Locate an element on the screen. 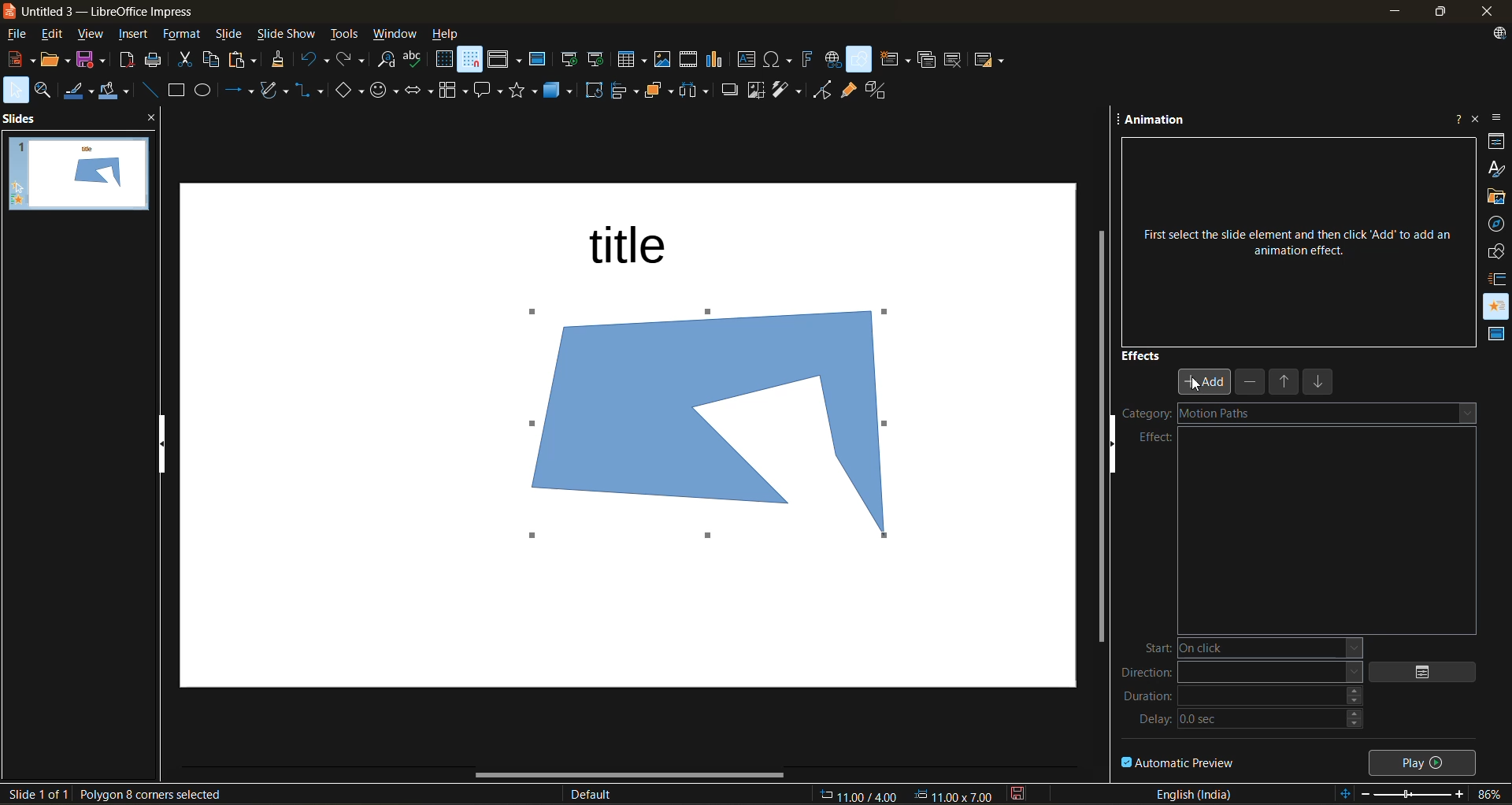  open is located at coordinates (52, 59).